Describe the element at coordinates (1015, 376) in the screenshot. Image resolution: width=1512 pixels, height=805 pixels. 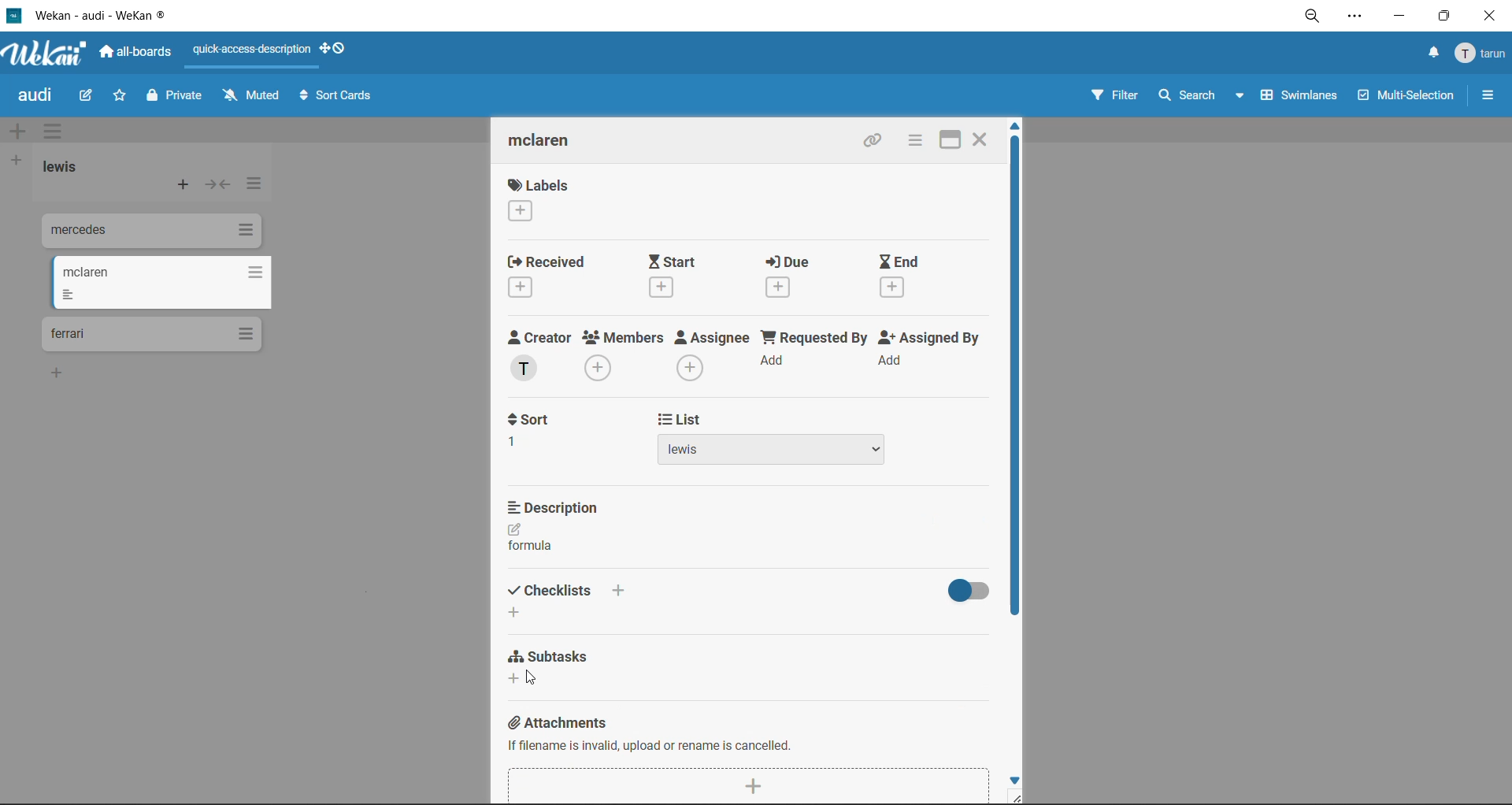
I see `vertical scroll bar` at that location.